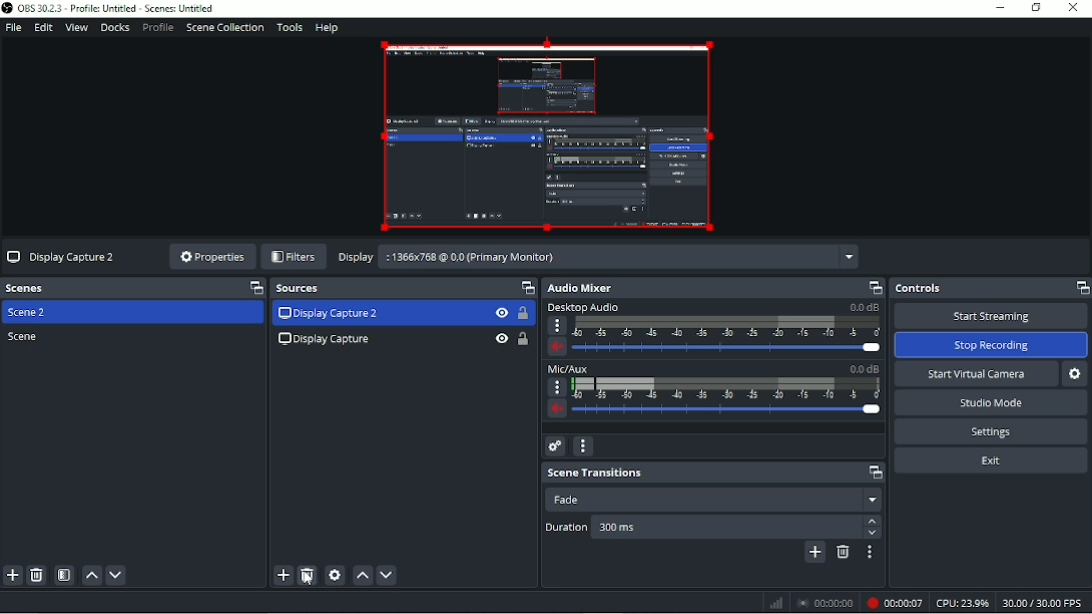 The image size is (1092, 614). Describe the element at coordinates (595, 259) in the screenshot. I see `Display` at that location.